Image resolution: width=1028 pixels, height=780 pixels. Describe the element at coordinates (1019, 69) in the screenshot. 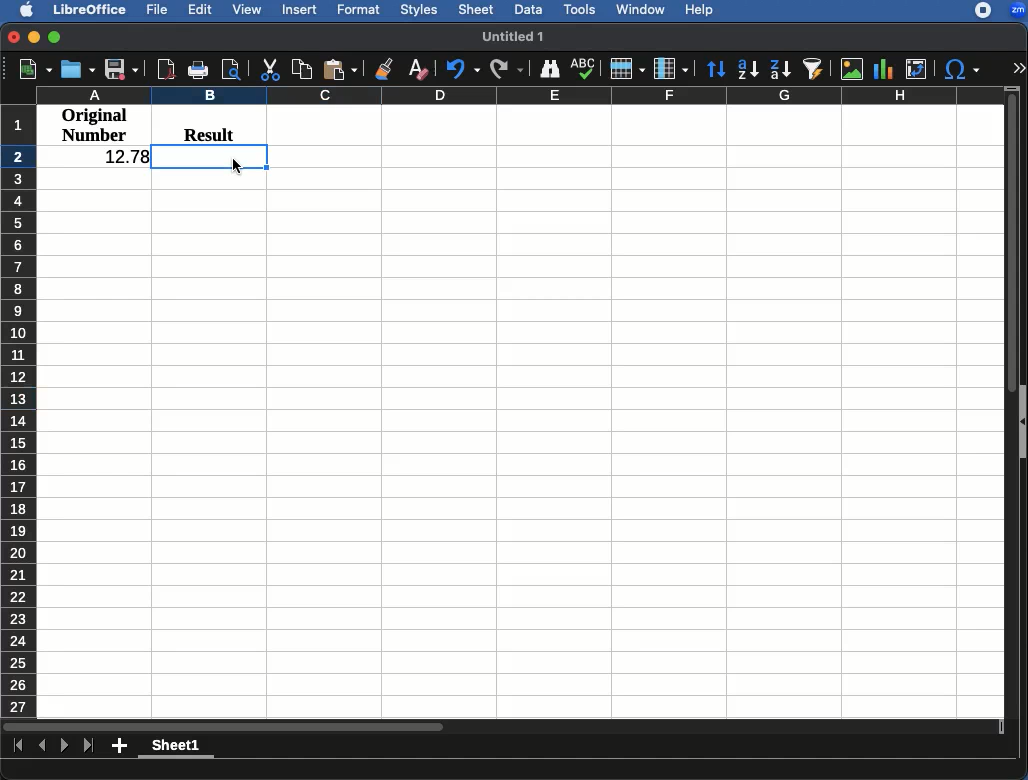

I see `Expand` at that location.